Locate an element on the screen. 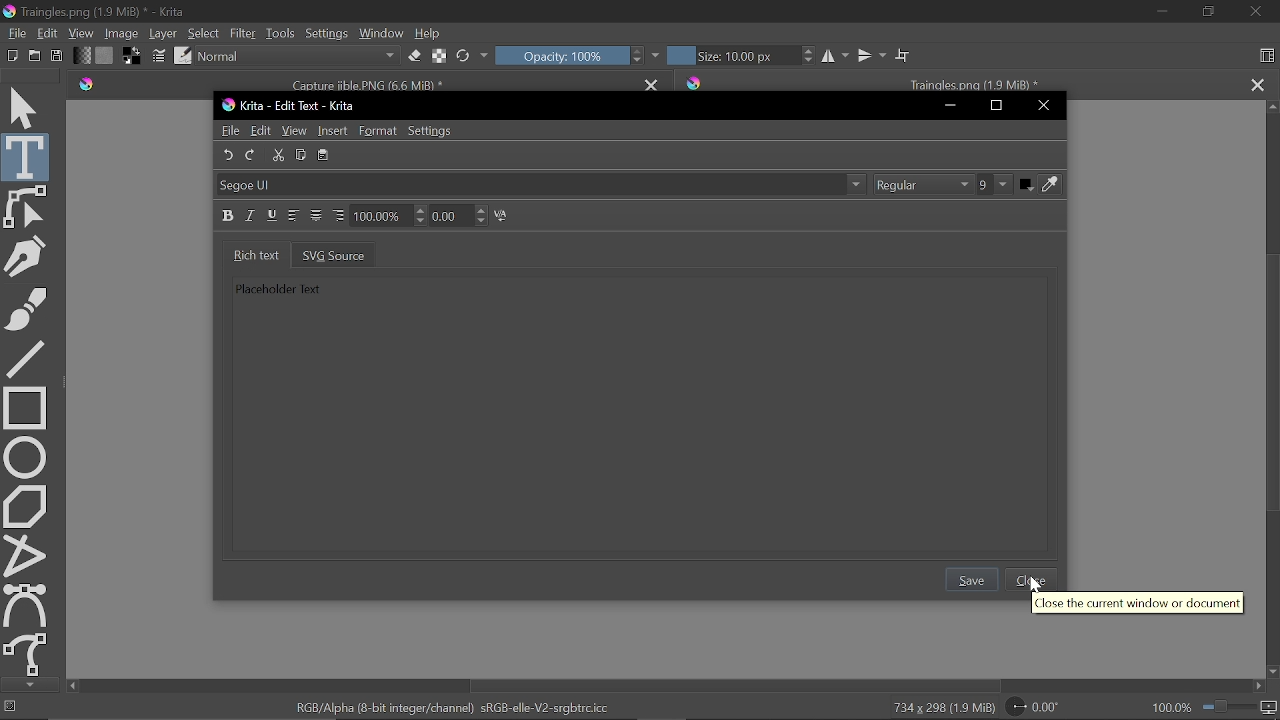  Layer is located at coordinates (163, 34).